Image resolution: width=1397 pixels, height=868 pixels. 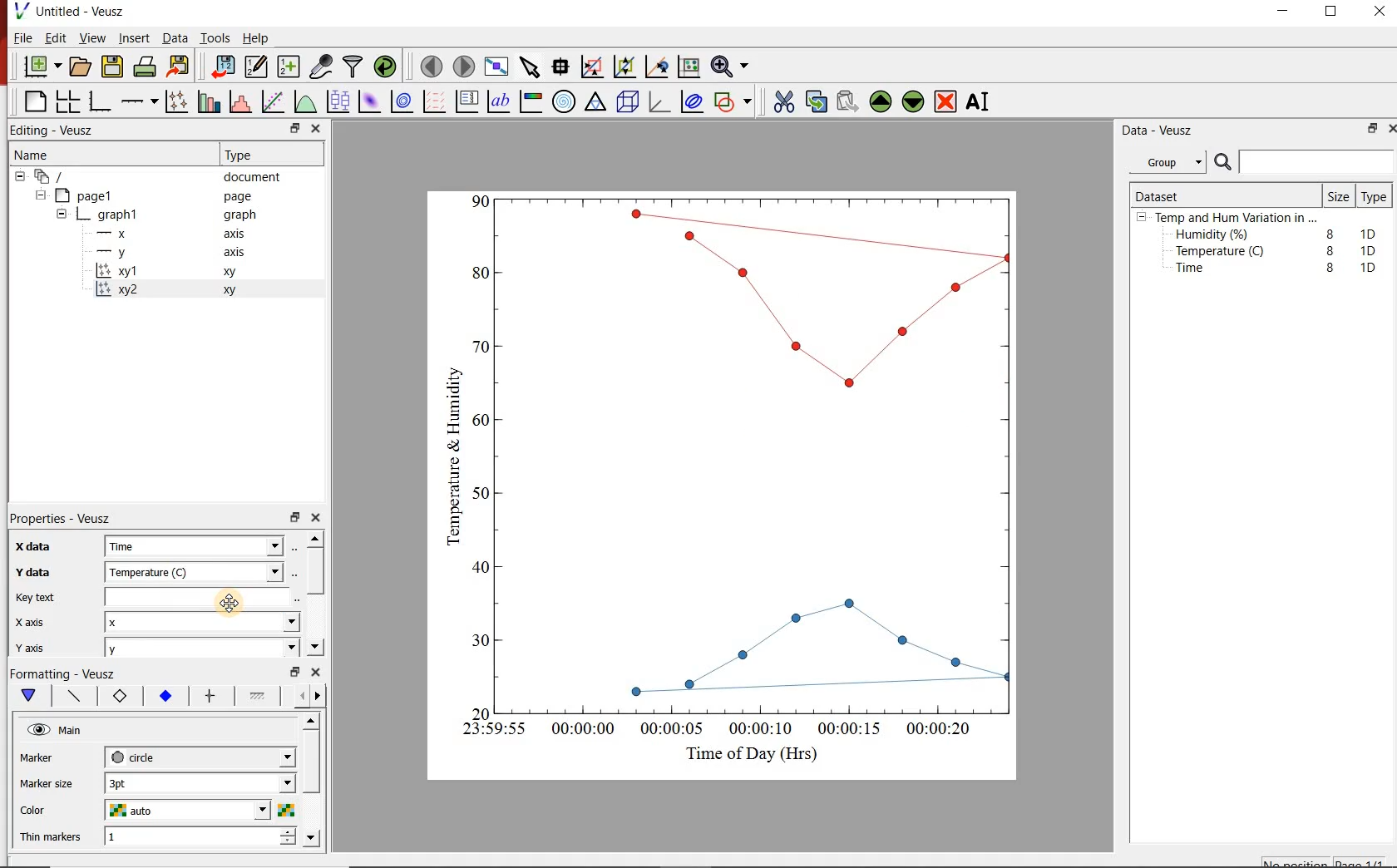 I want to click on x axis, so click(x=40, y=621).